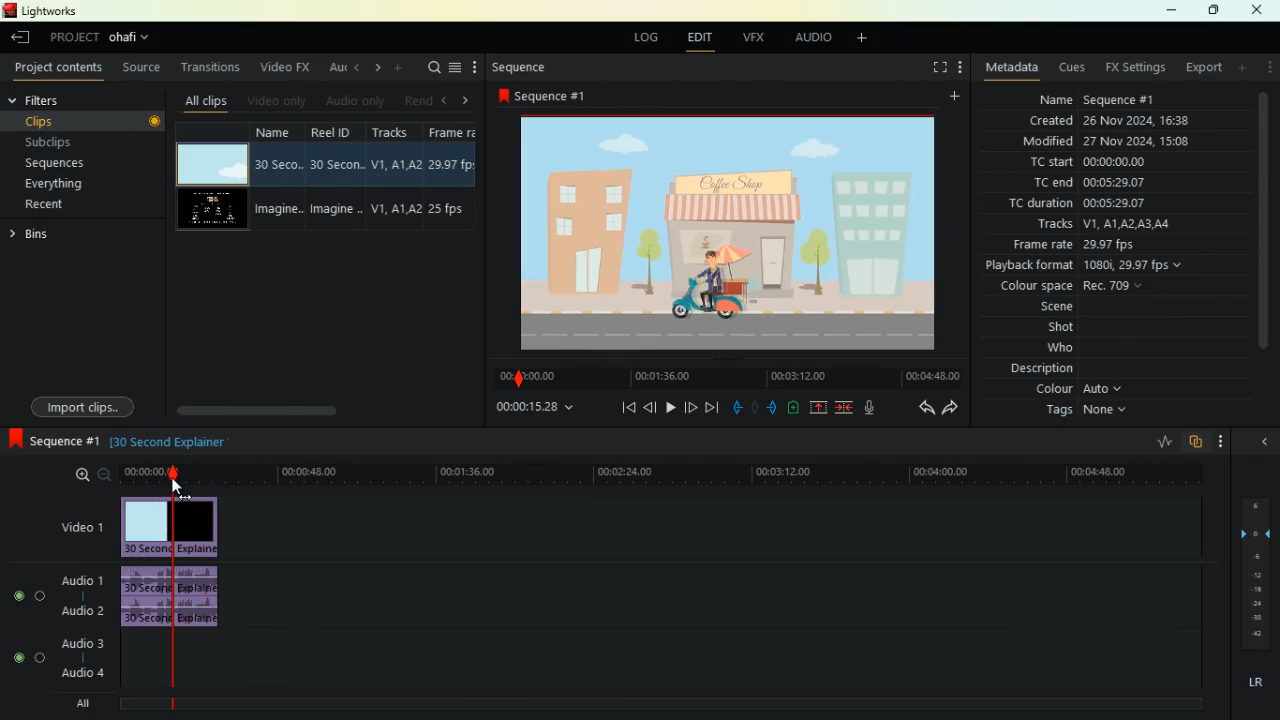 Image resolution: width=1280 pixels, height=720 pixels. Describe the element at coordinates (455, 70) in the screenshot. I see `menu` at that location.